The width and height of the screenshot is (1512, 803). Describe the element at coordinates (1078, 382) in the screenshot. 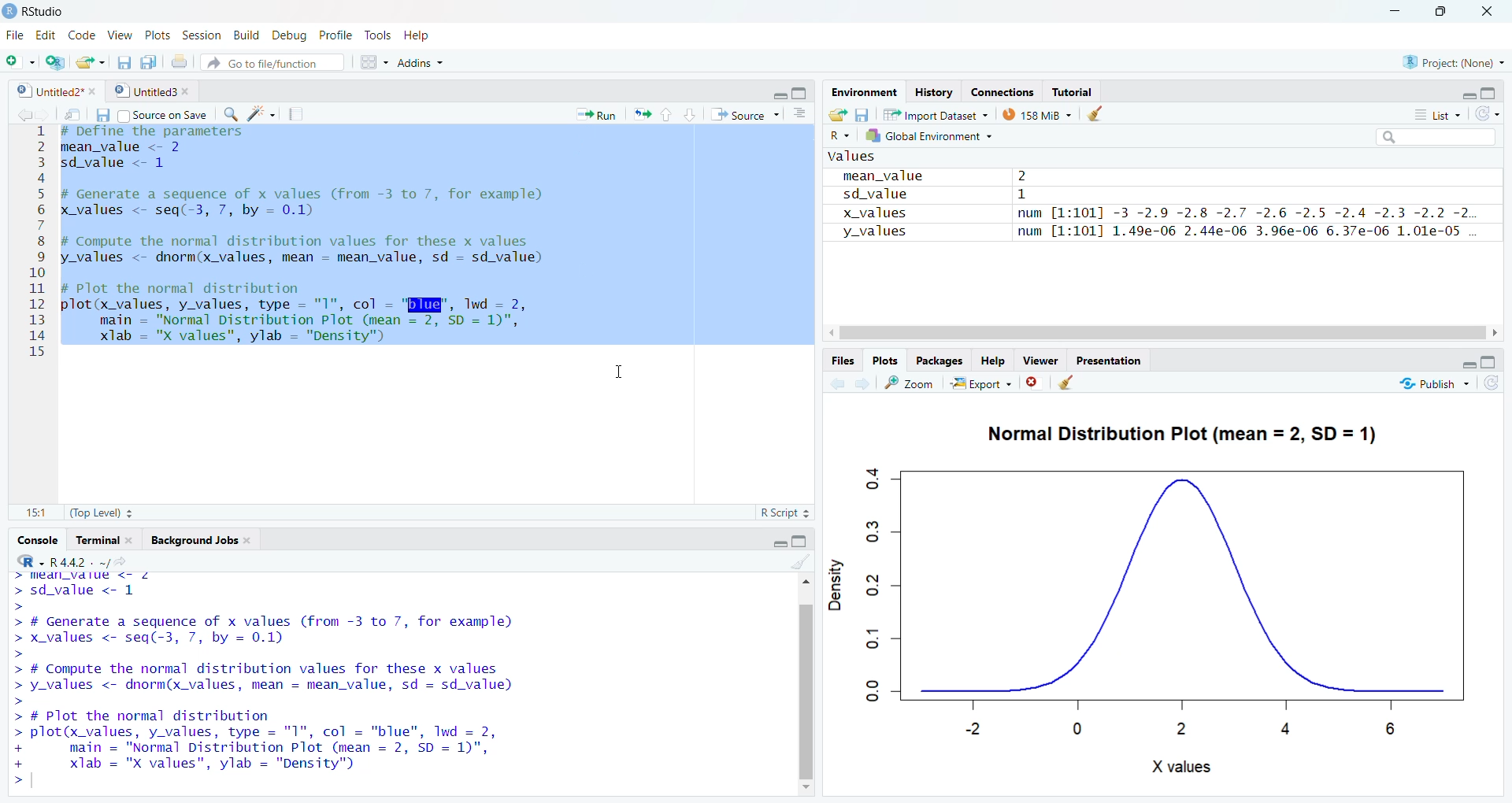

I see `show in new window` at that location.